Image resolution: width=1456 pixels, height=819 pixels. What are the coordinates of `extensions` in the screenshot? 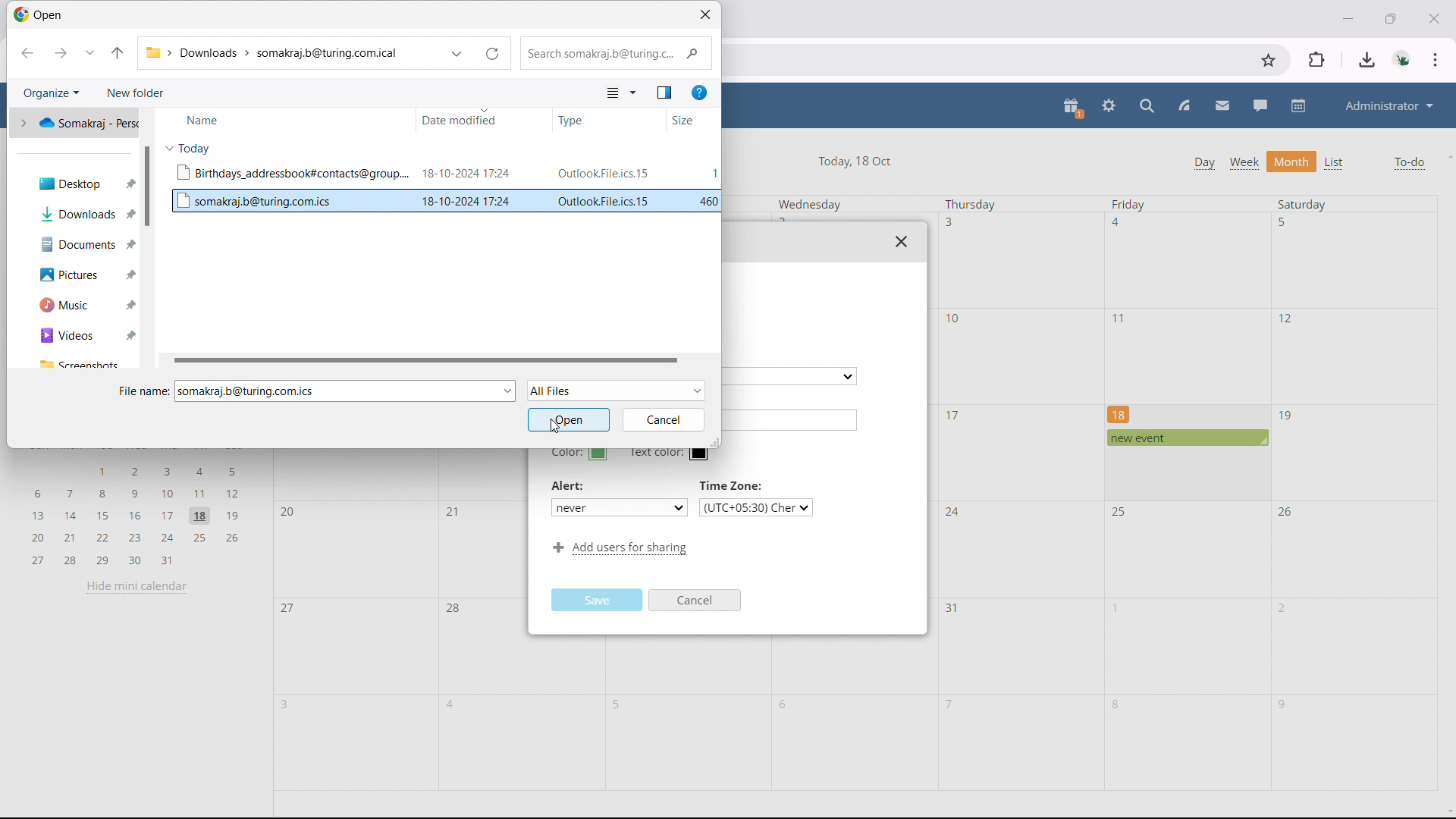 It's located at (1318, 59).